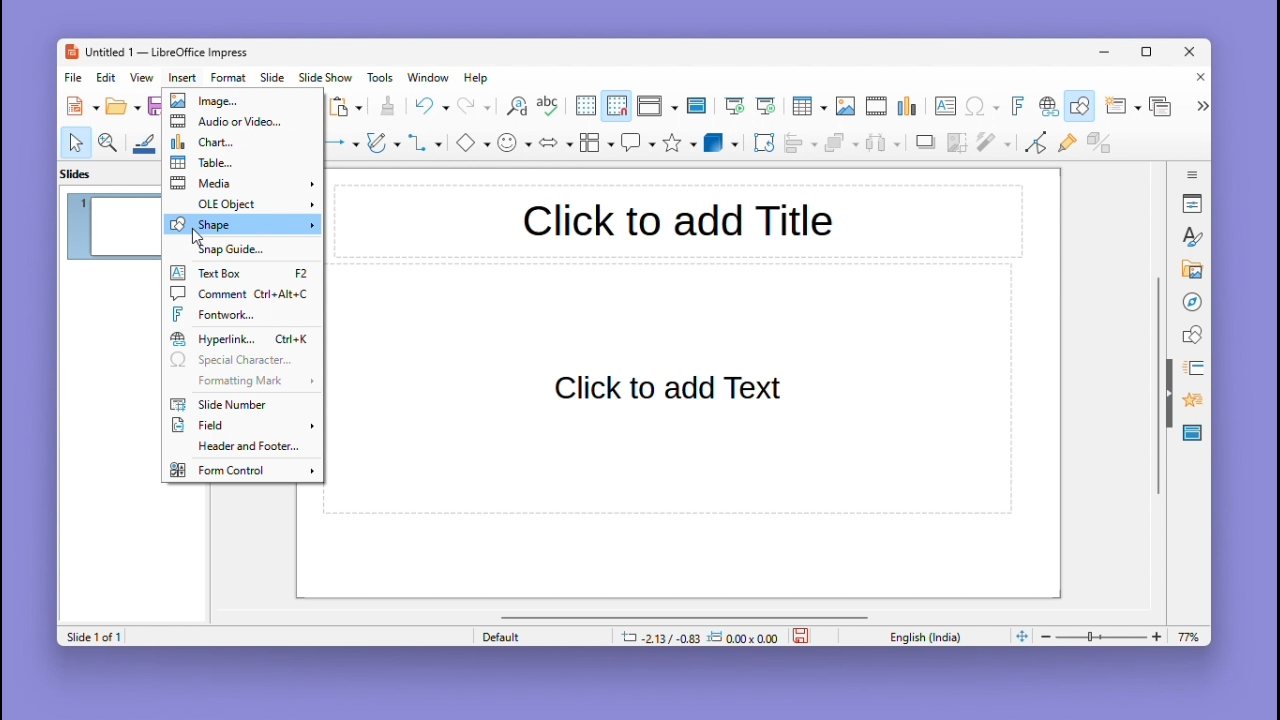  I want to click on Audio or video, so click(243, 122).